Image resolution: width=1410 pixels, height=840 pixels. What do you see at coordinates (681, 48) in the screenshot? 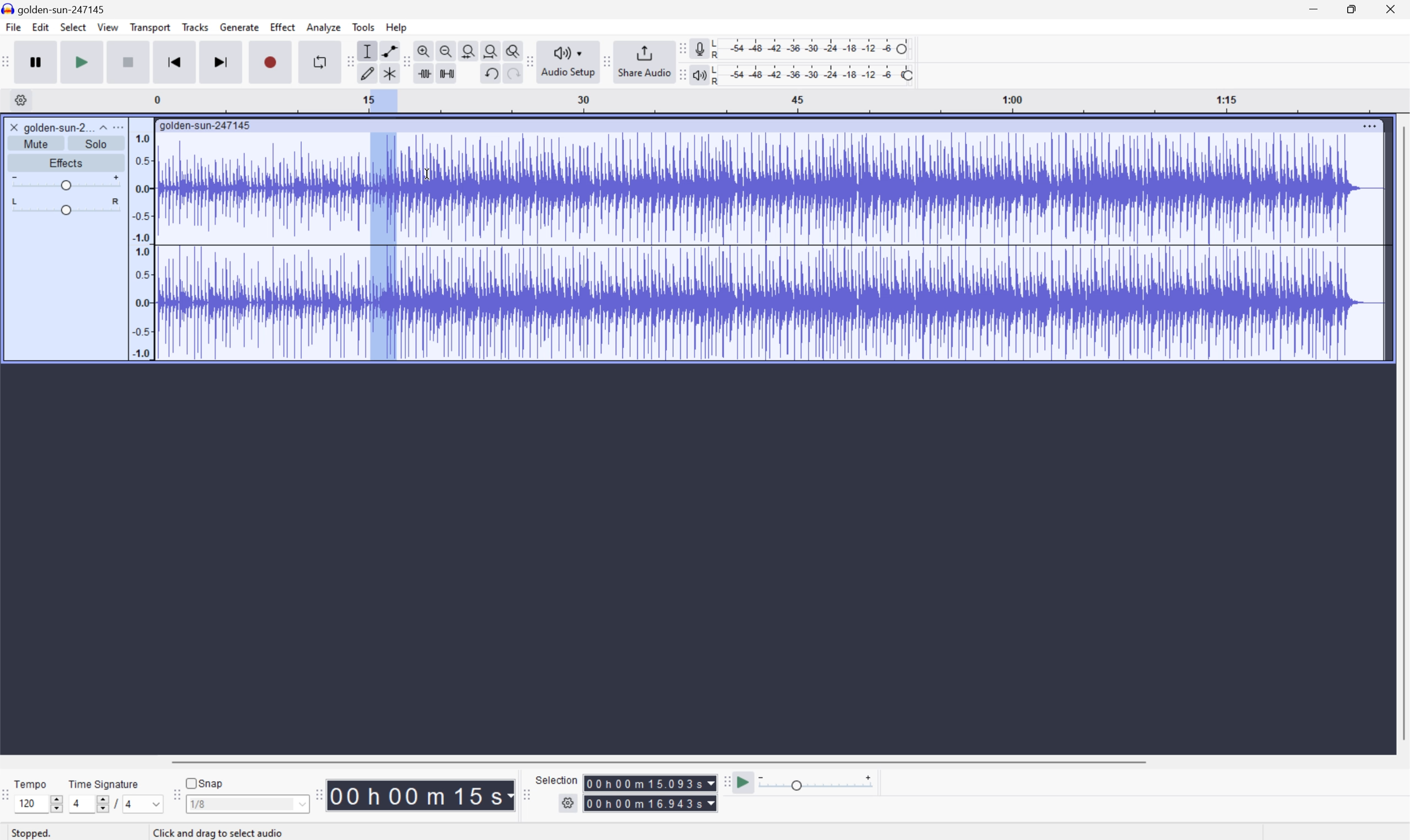
I see `Audacity recording meter toolbar` at bounding box center [681, 48].